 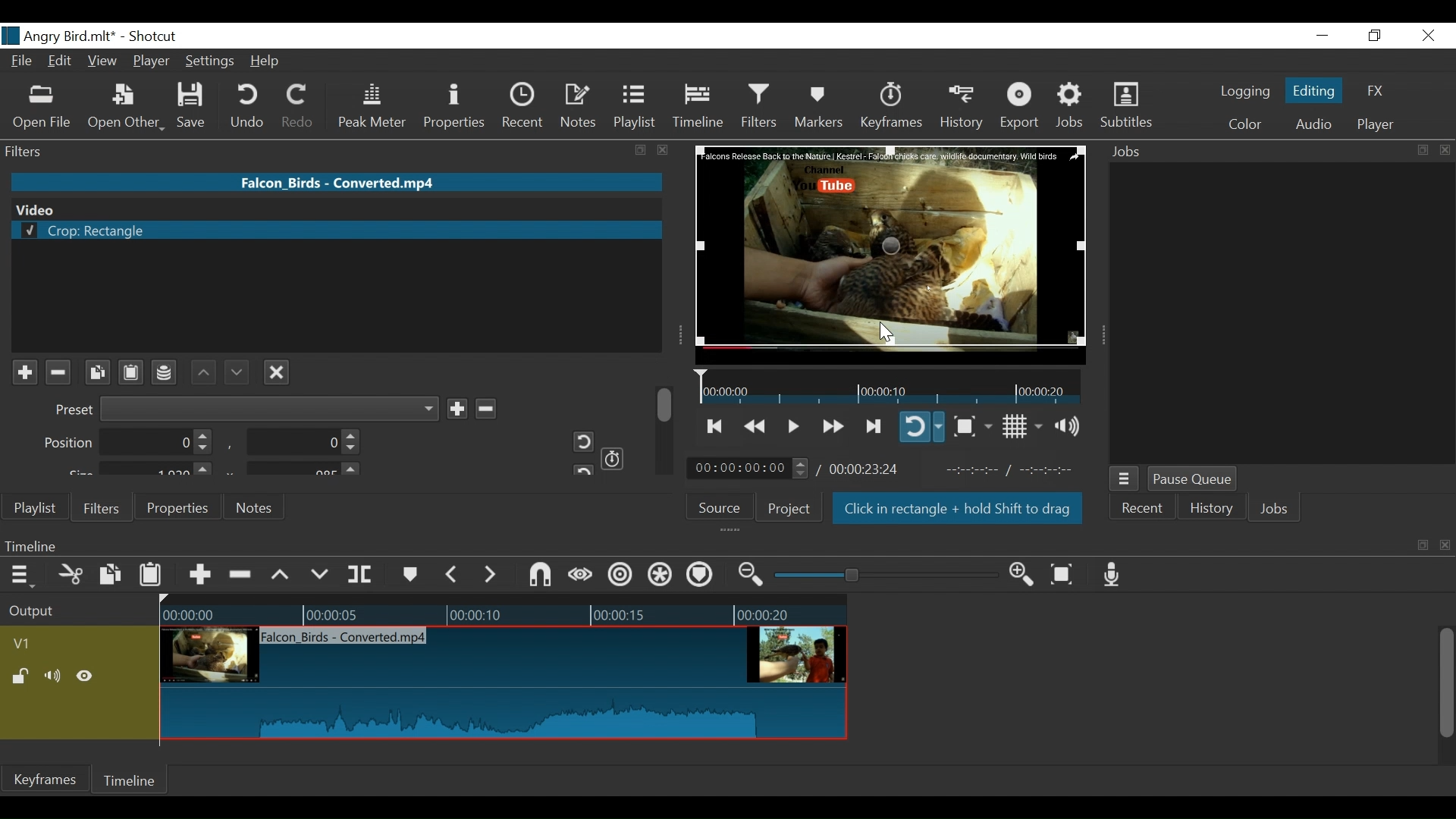 What do you see at coordinates (492, 574) in the screenshot?
I see `Next Marker` at bounding box center [492, 574].